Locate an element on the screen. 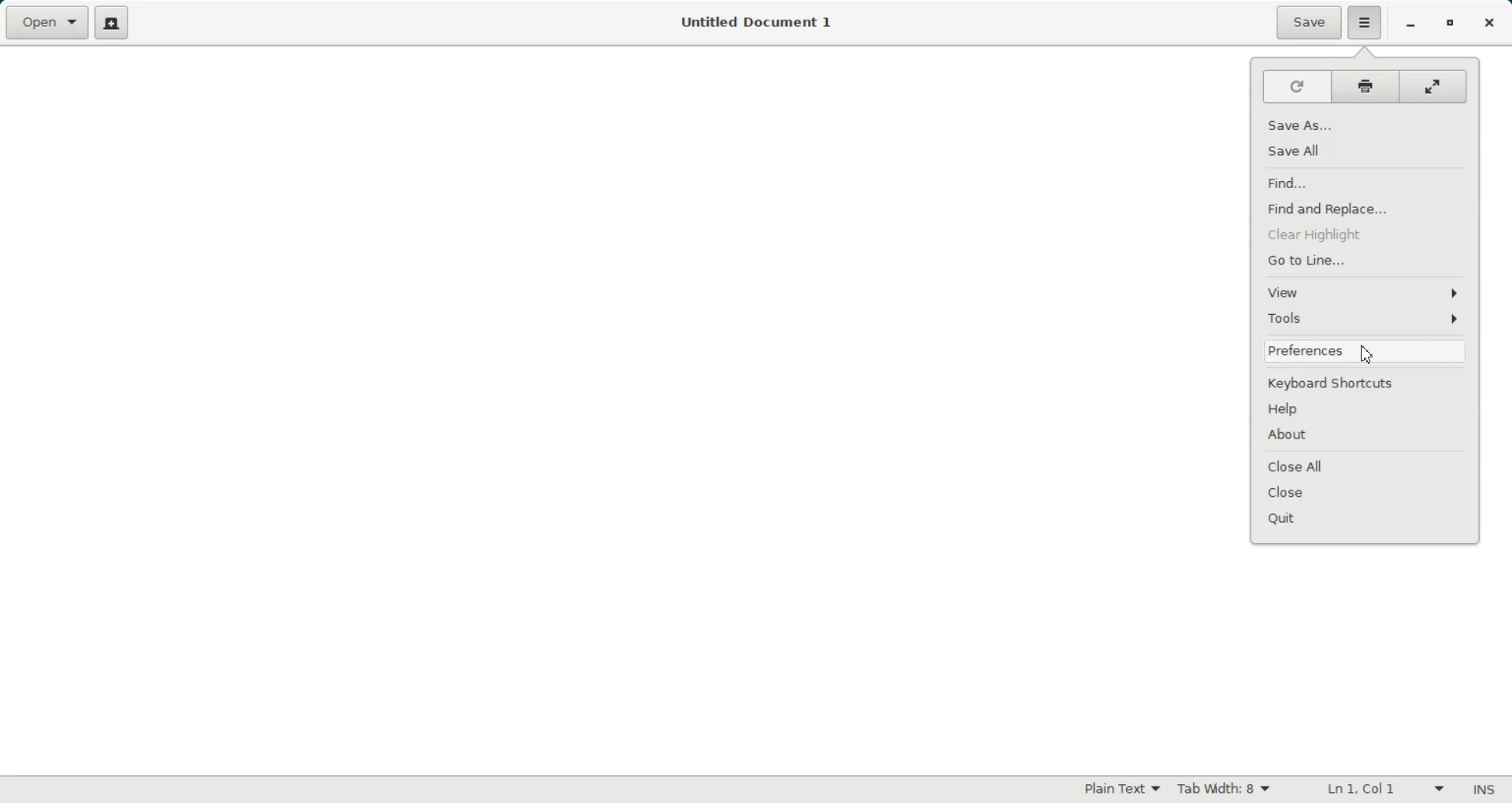 This screenshot has width=1512, height=803. View is located at coordinates (1366, 292).